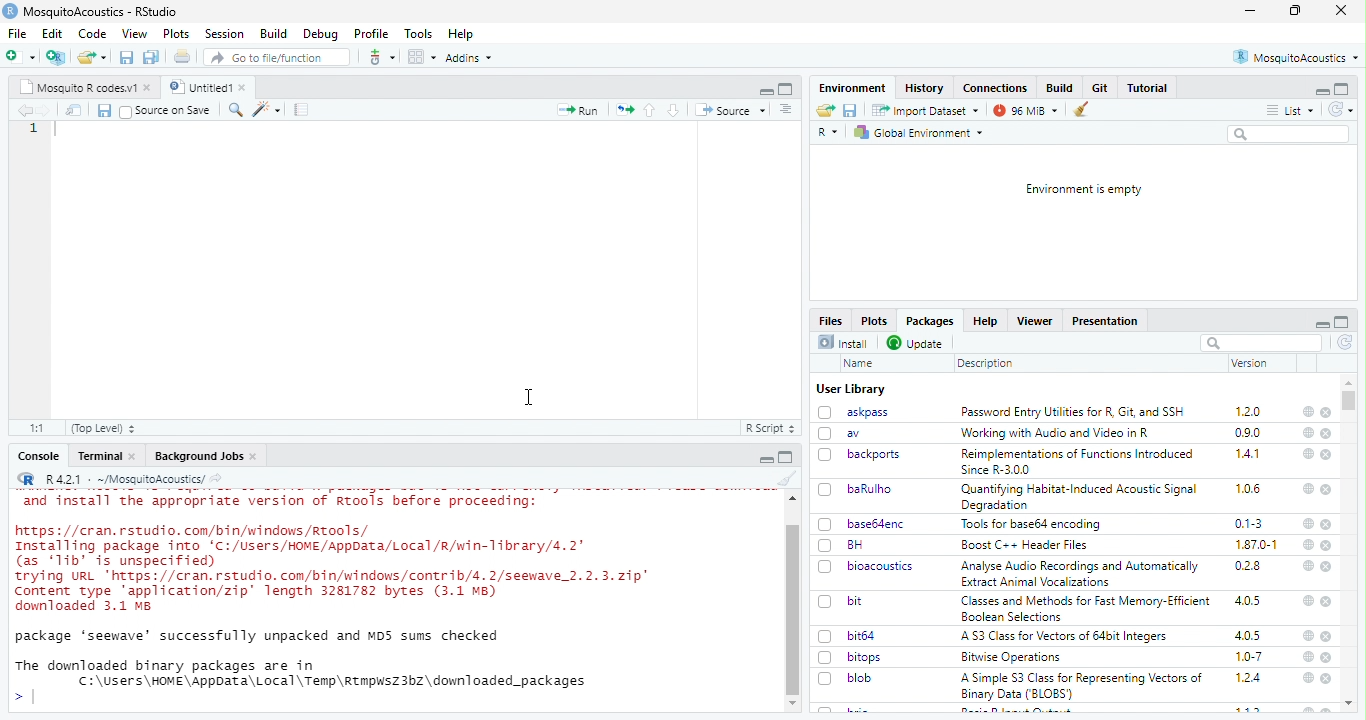  I want to click on Code, so click(94, 33).